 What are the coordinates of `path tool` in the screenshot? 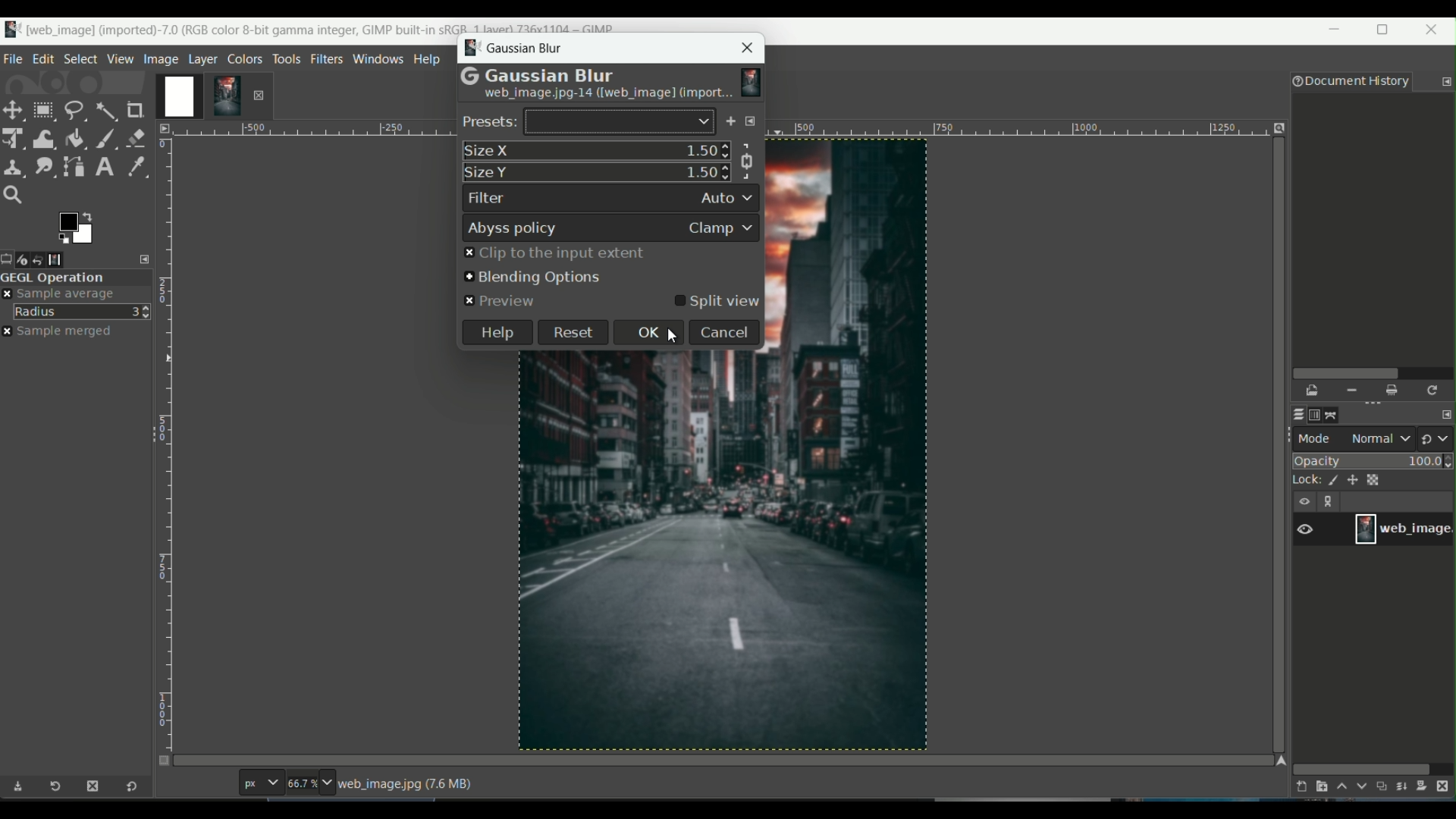 It's located at (75, 165).